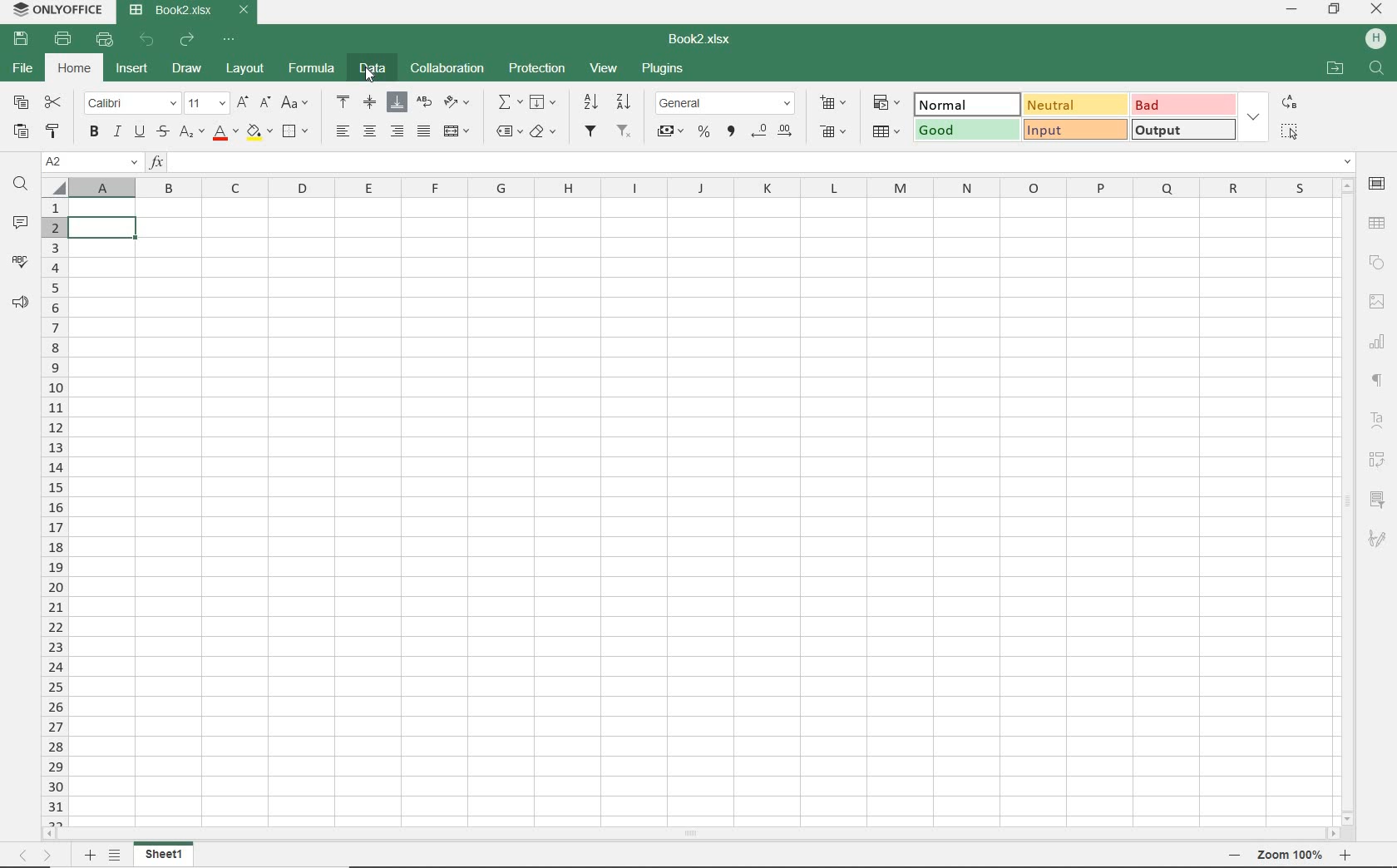 This screenshot has width=1397, height=868. Describe the element at coordinates (726, 103) in the screenshot. I see `NUMBER FORMAT` at that location.